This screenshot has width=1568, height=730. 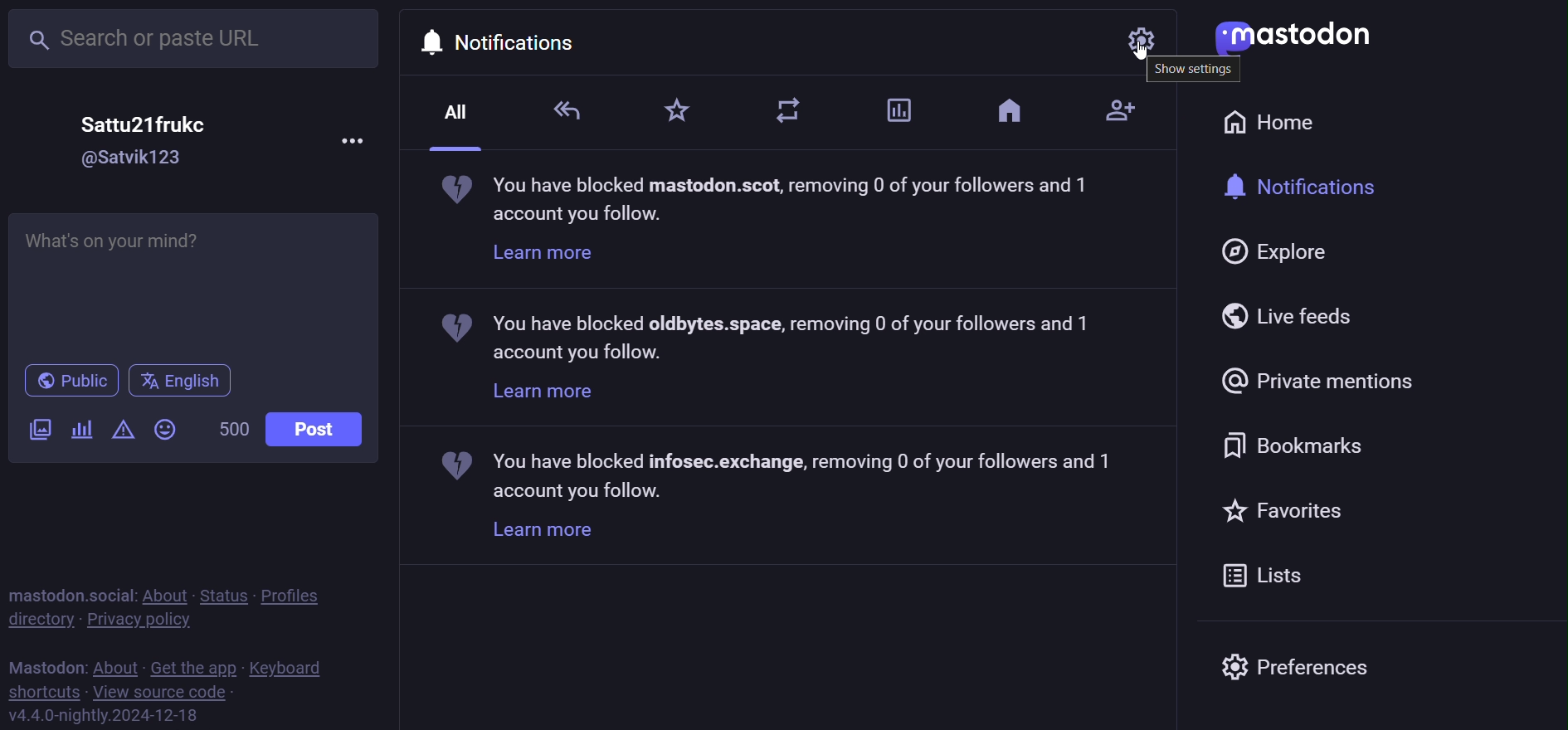 What do you see at coordinates (1149, 58) in the screenshot?
I see `cursor` at bounding box center [1149, 58].